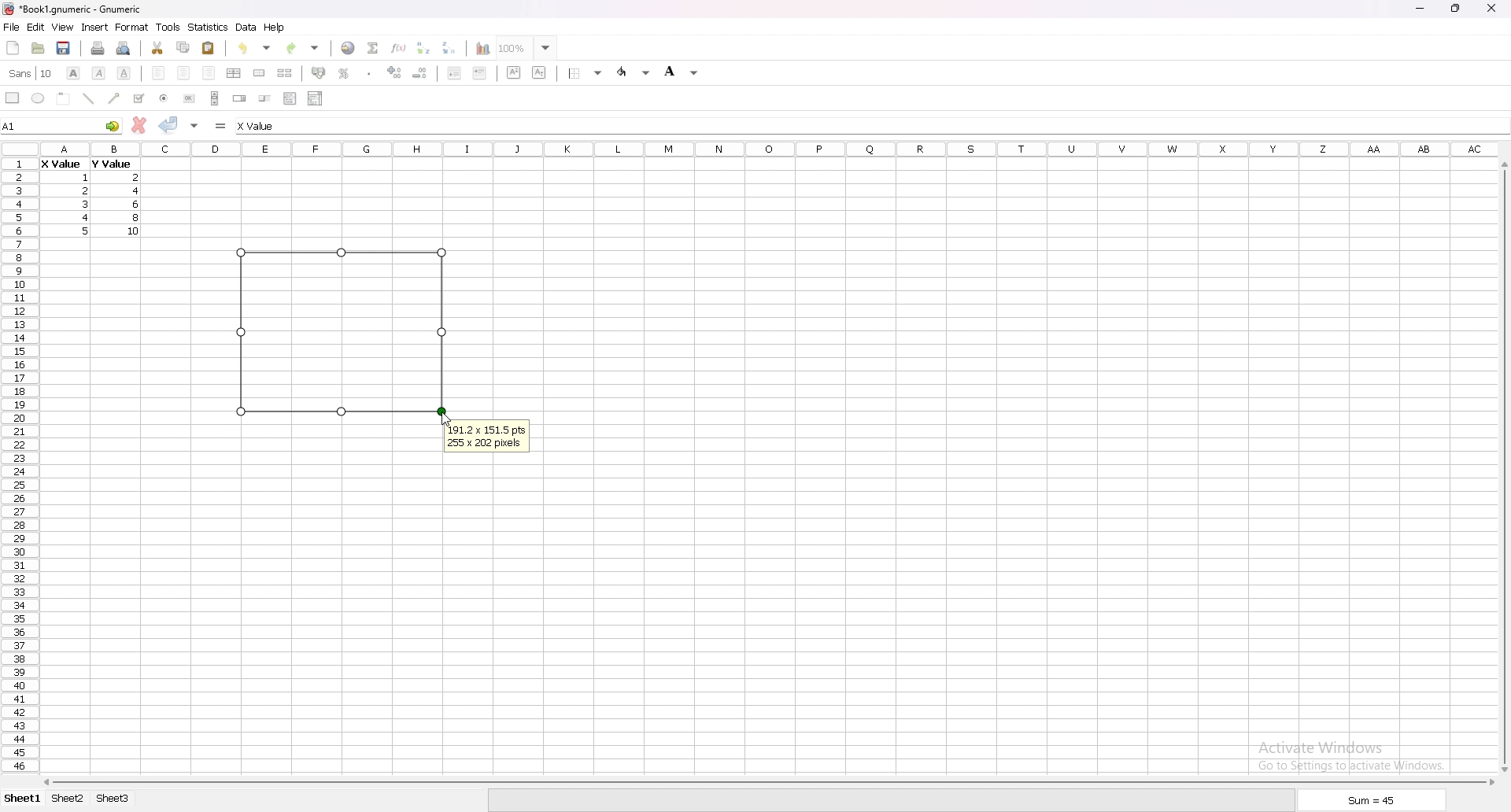  What do you see at coordinates (480, 72) in the screenshot?
I see `increase indent` at bounding box center [480, 72].